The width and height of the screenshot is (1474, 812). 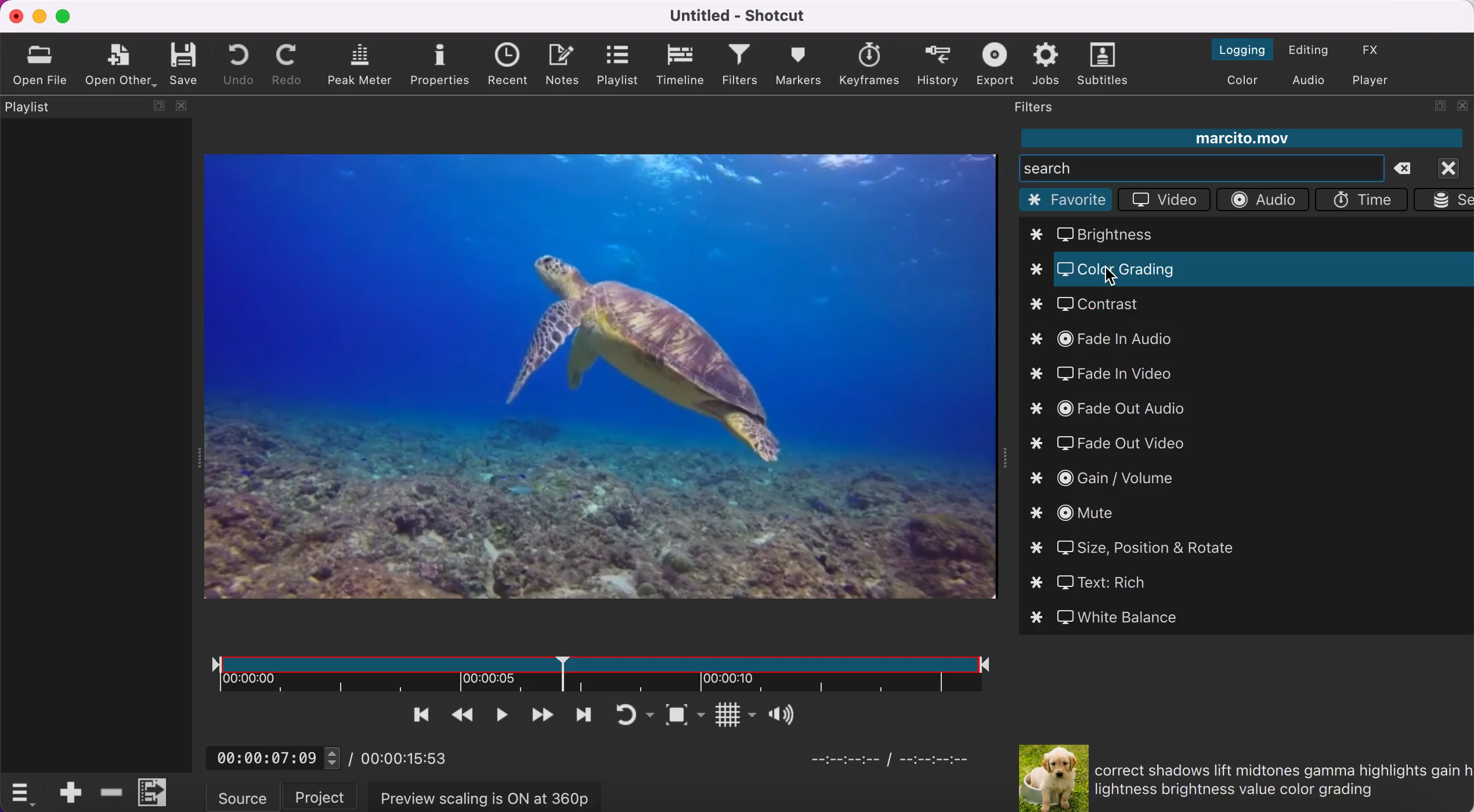 I want to click on favorite, so click(x=1067, y=199).